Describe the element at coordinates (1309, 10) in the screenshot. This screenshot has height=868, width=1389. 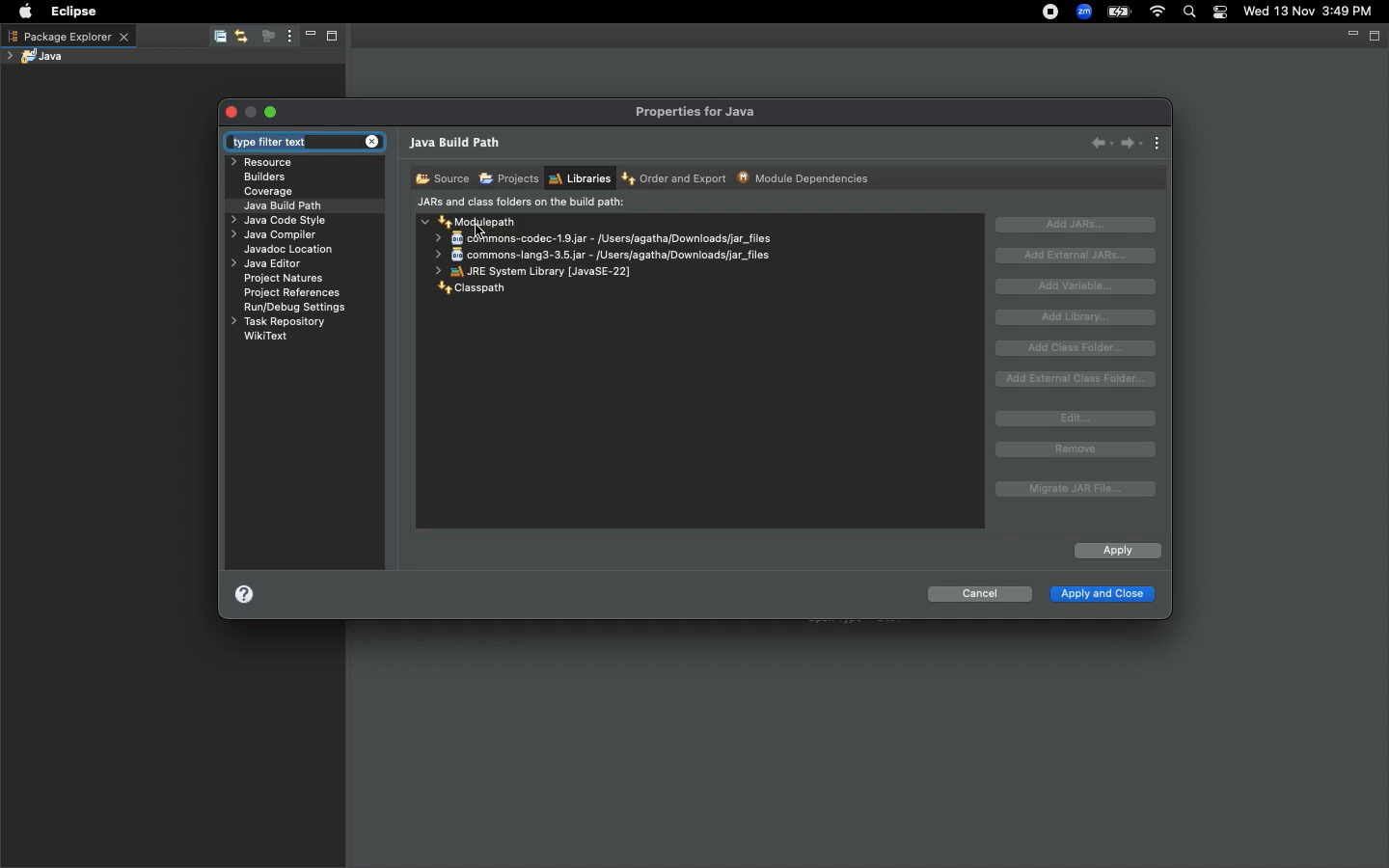
I see `Wed 13 Nov 3:49 PM` at that location.